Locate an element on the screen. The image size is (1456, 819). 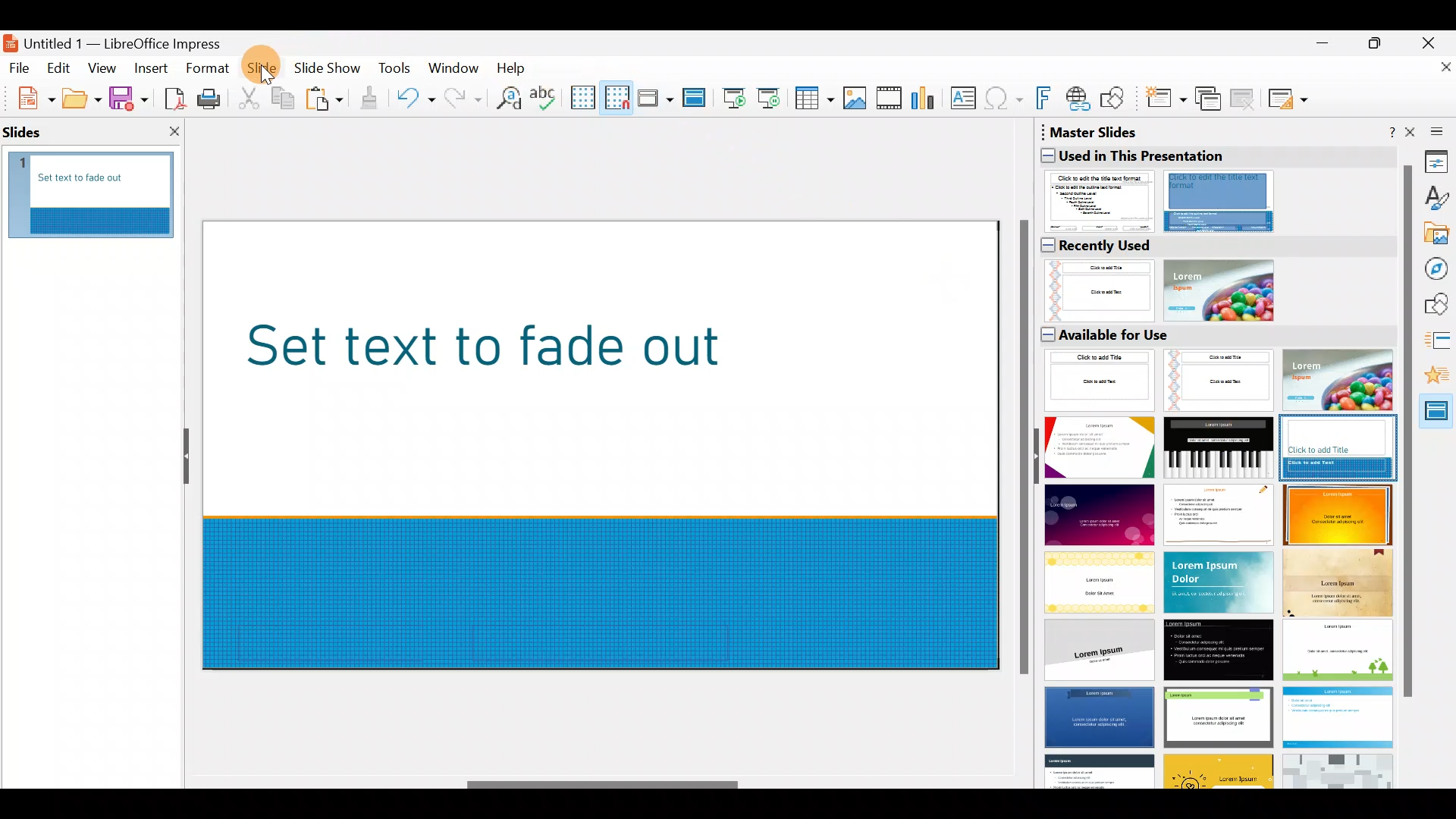
Window is located at coordinates (457, 67).